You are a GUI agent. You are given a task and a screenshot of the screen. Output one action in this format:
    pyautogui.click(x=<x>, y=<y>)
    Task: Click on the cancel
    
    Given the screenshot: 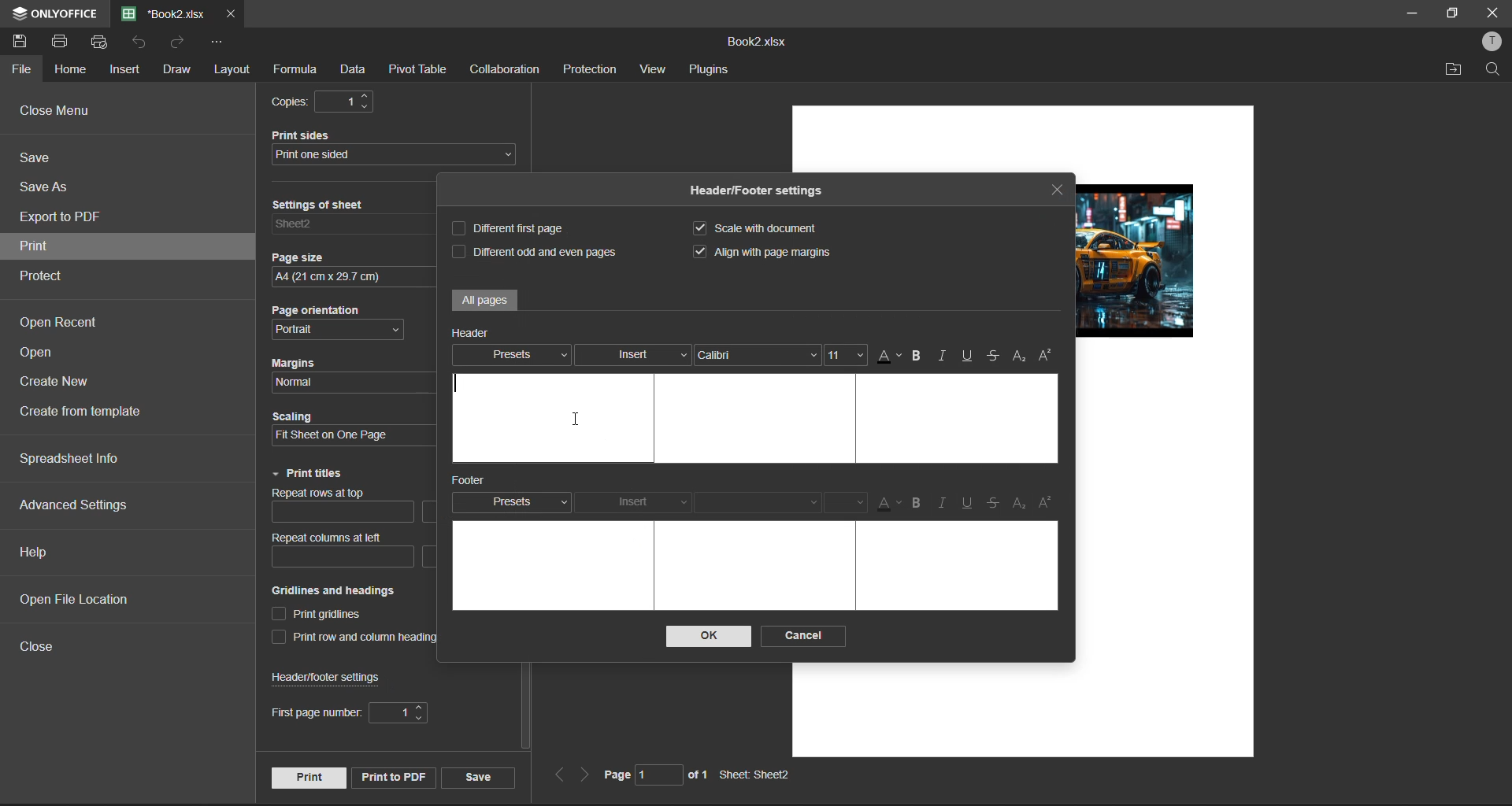 What is the action you would take?
    pyautogui.click(x=805, y=635)
    